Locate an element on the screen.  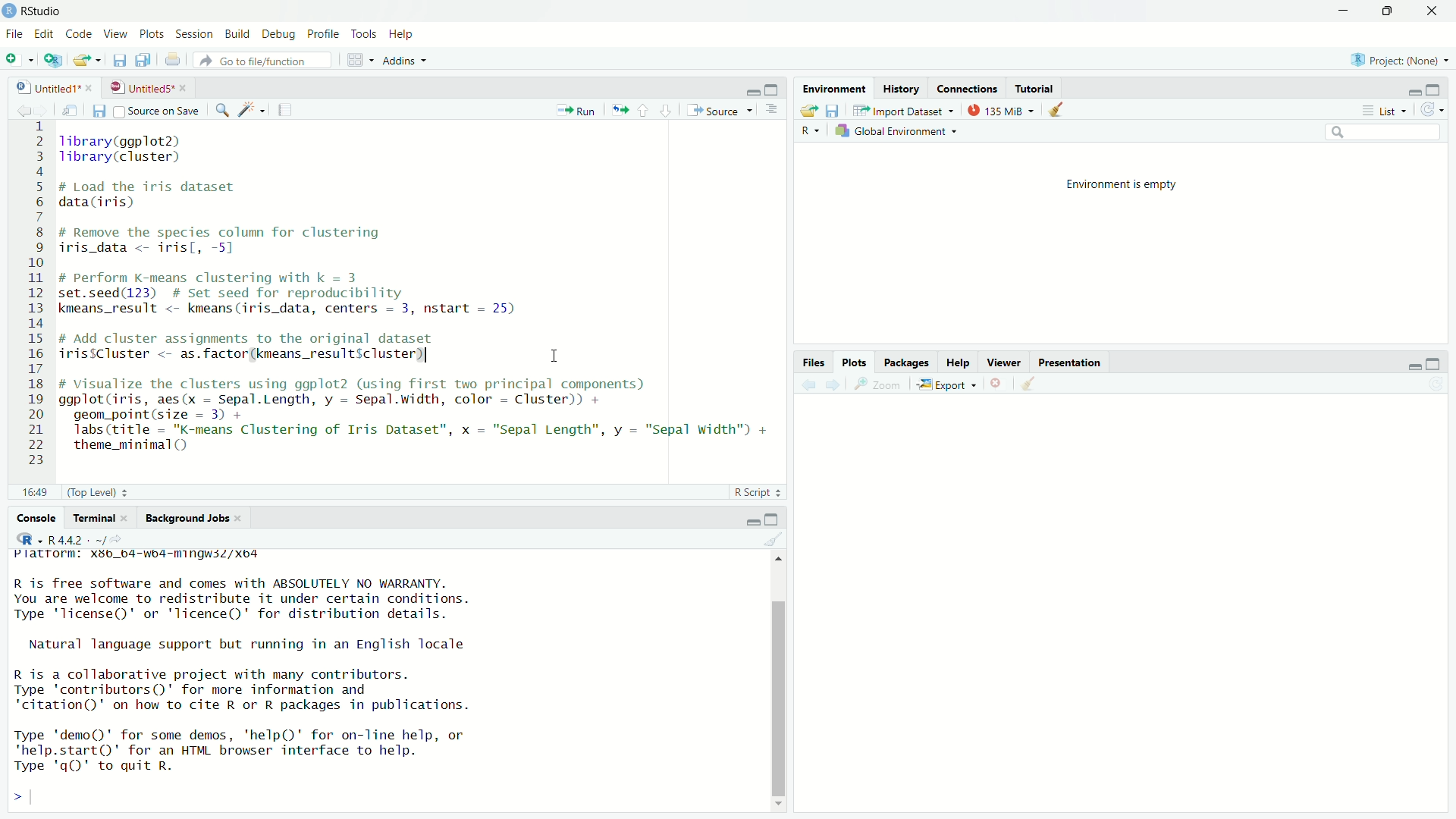
refresh is located at coordinates (1438, 111).